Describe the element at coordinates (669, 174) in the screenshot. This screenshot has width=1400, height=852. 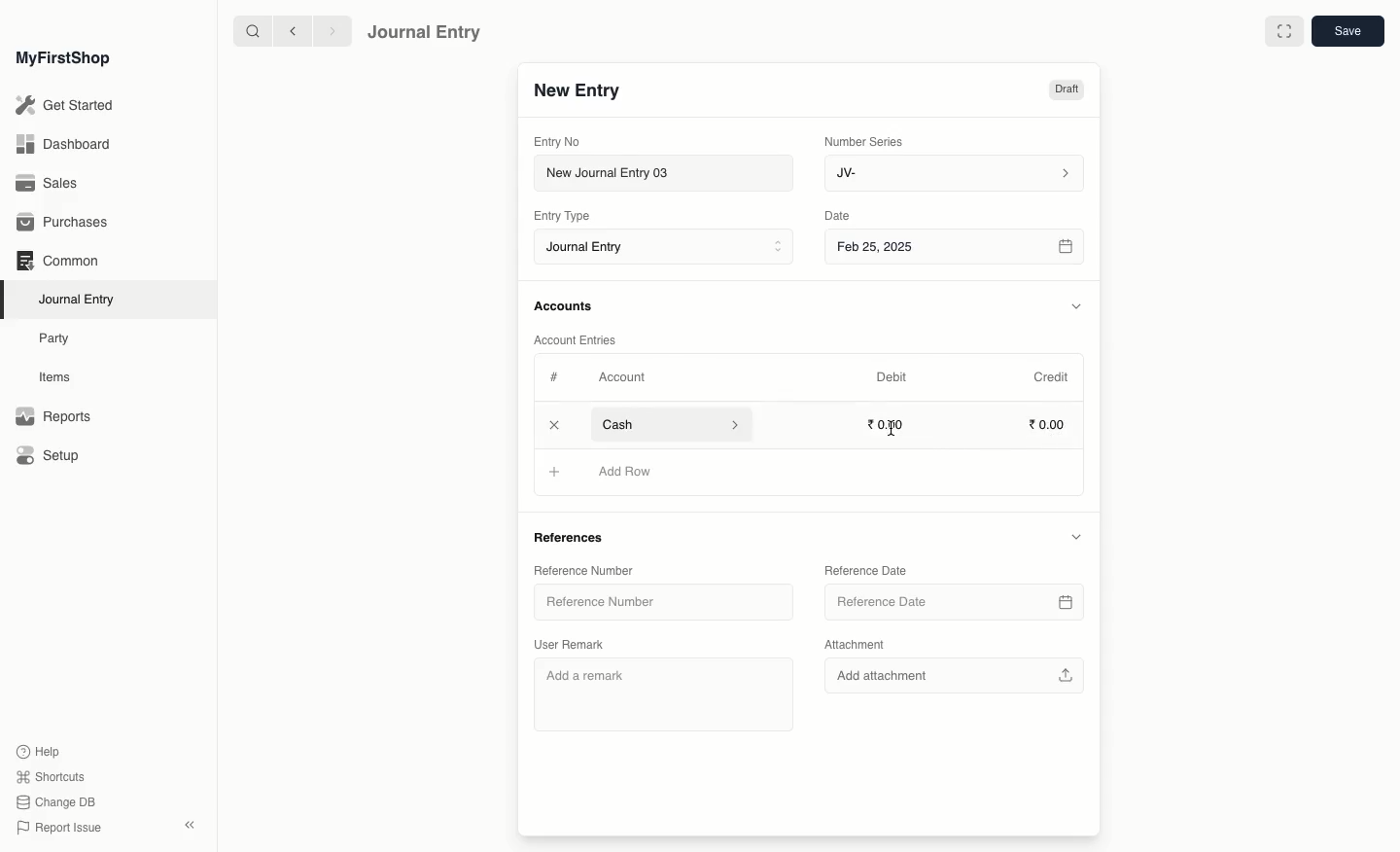
I see `New Journal Entry 03` at that location.